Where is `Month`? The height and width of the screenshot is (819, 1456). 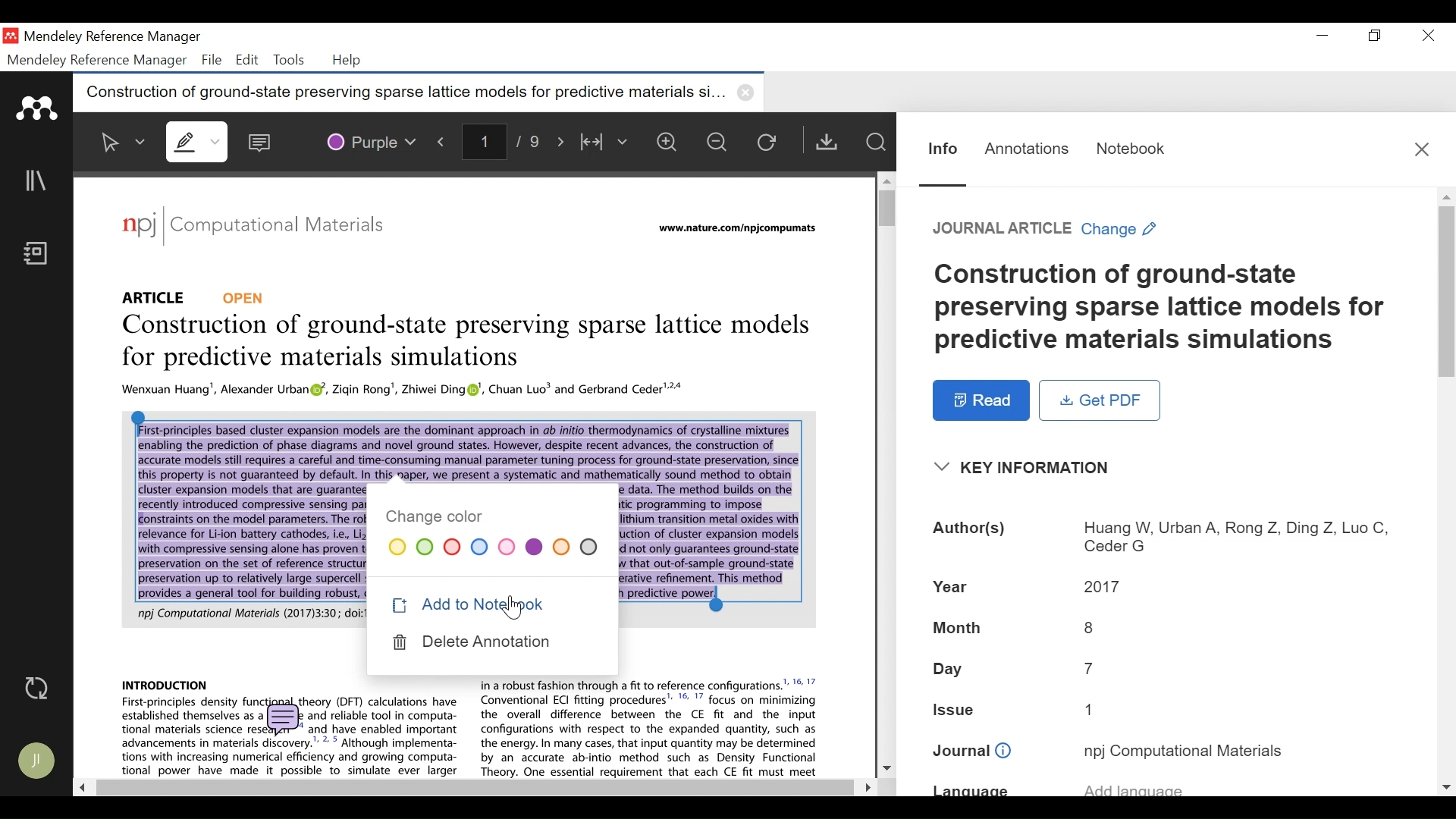
Month is located at coordinates (1090, 627).